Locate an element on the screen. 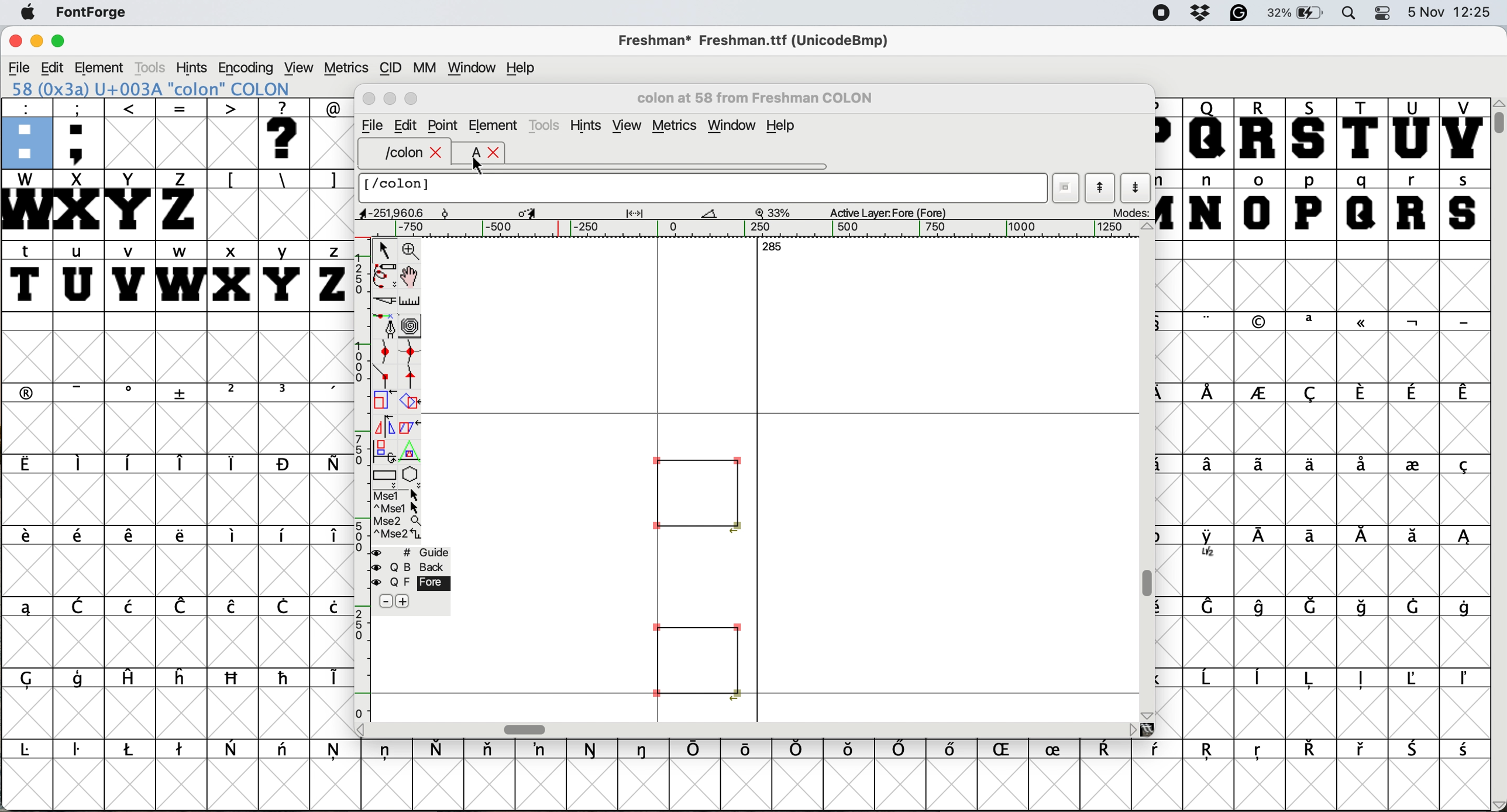 The image size is (1507, 812). help is located at coordinates (783, 127).